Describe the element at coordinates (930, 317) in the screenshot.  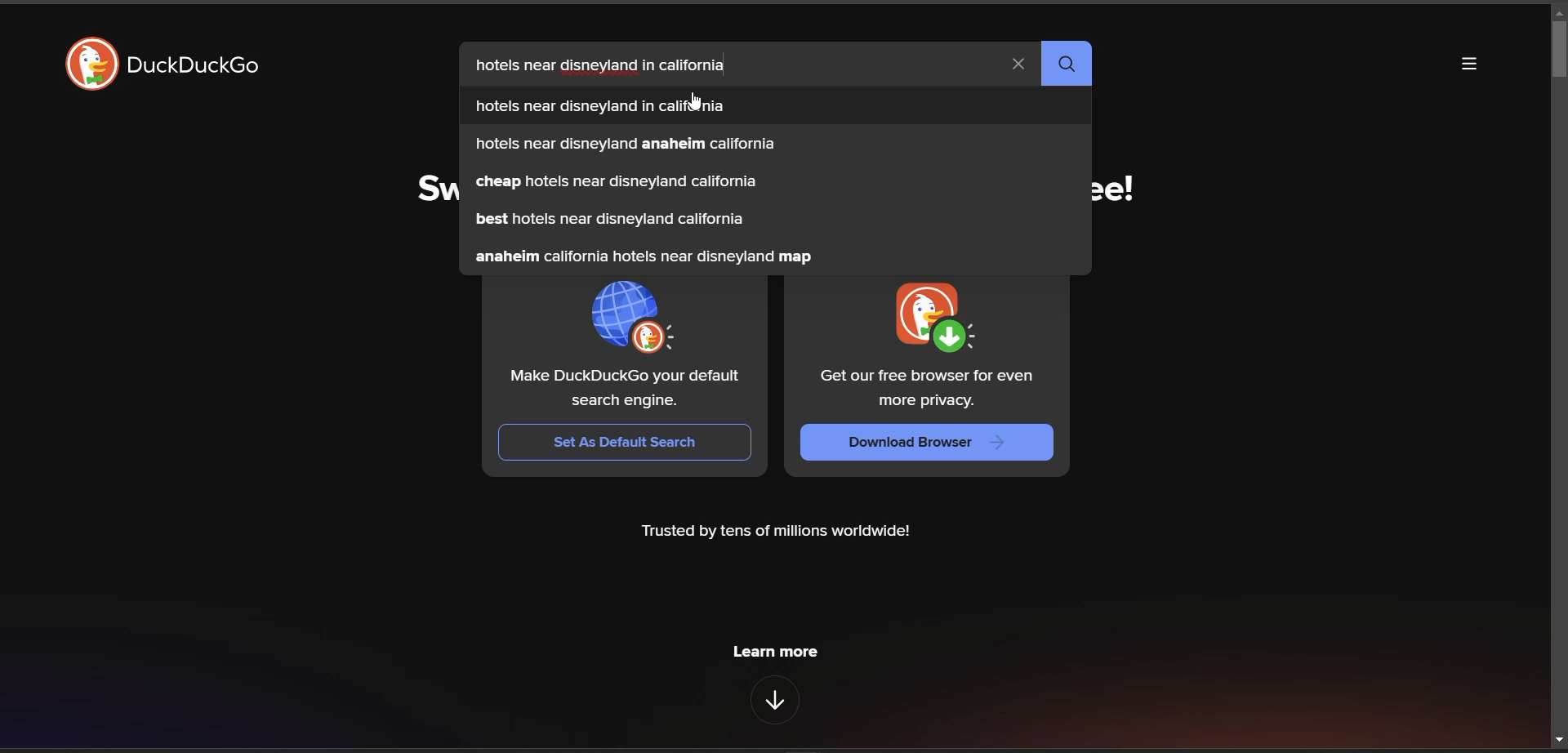
I see `icon` at that location.